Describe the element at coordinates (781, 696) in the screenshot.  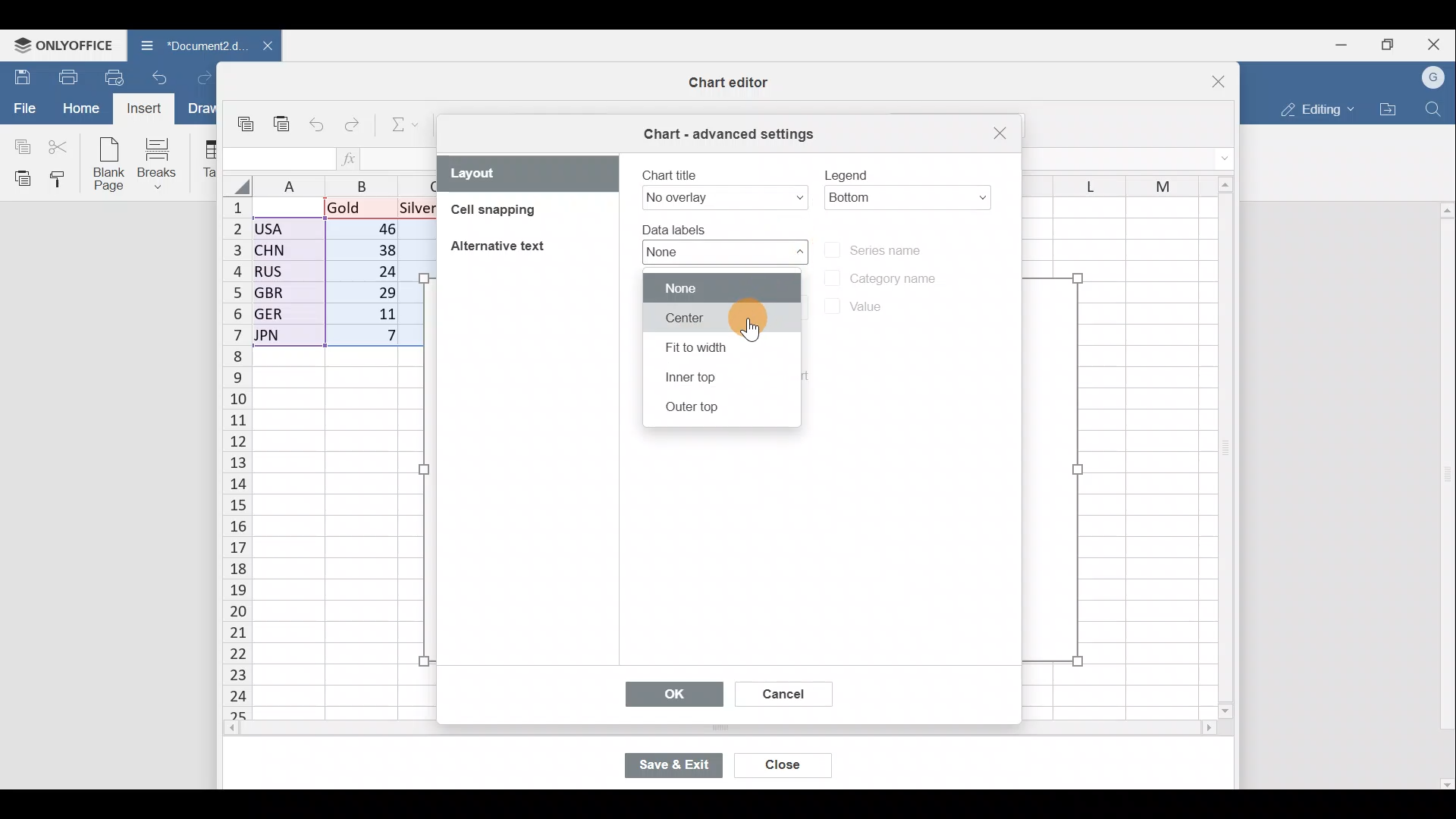
I see `Cancel` at that location.